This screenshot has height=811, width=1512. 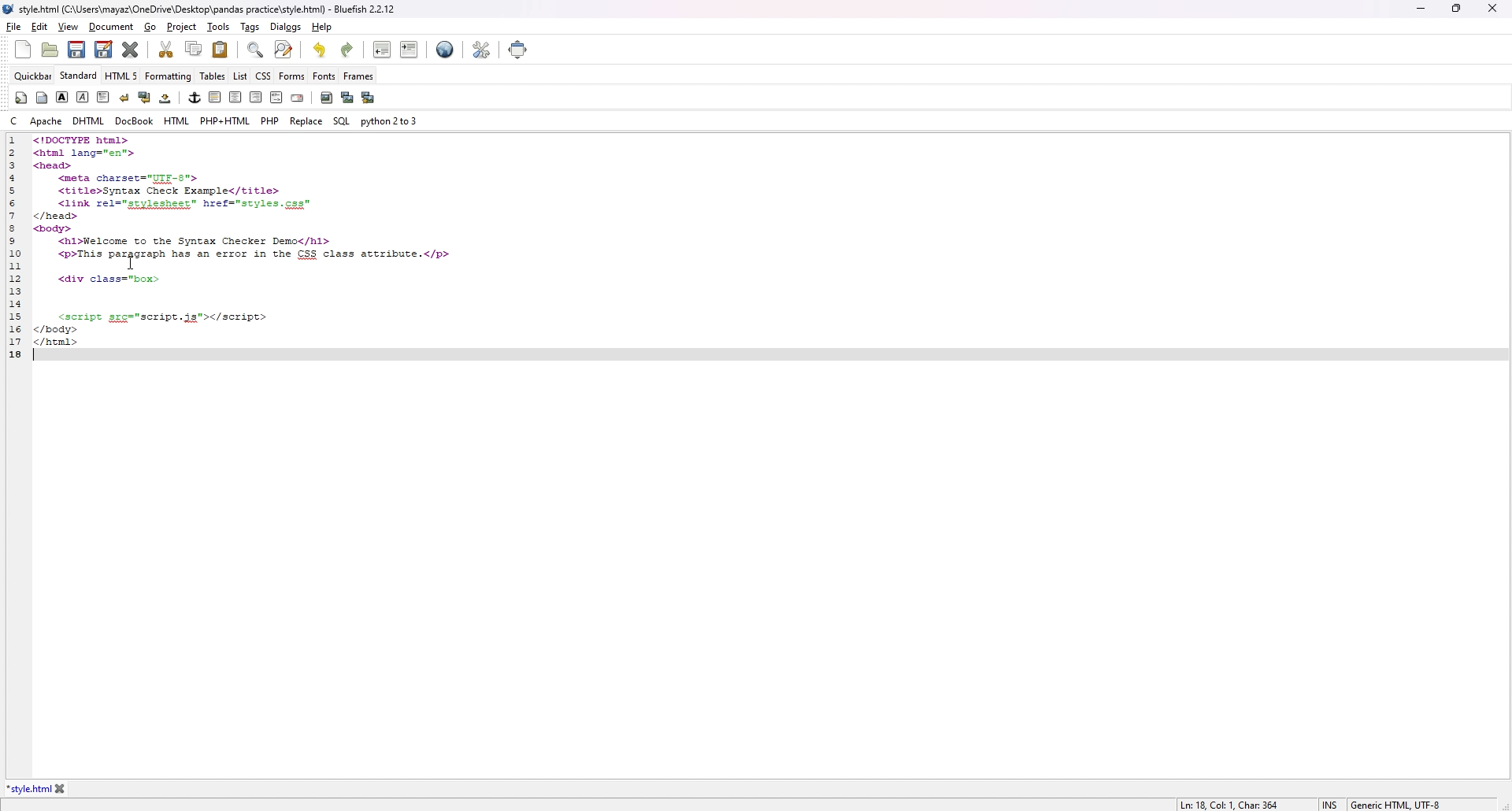 What do you see at coordinates (292, 75) in the screenshot?
I see `forms` at bounding box center [292, 75].